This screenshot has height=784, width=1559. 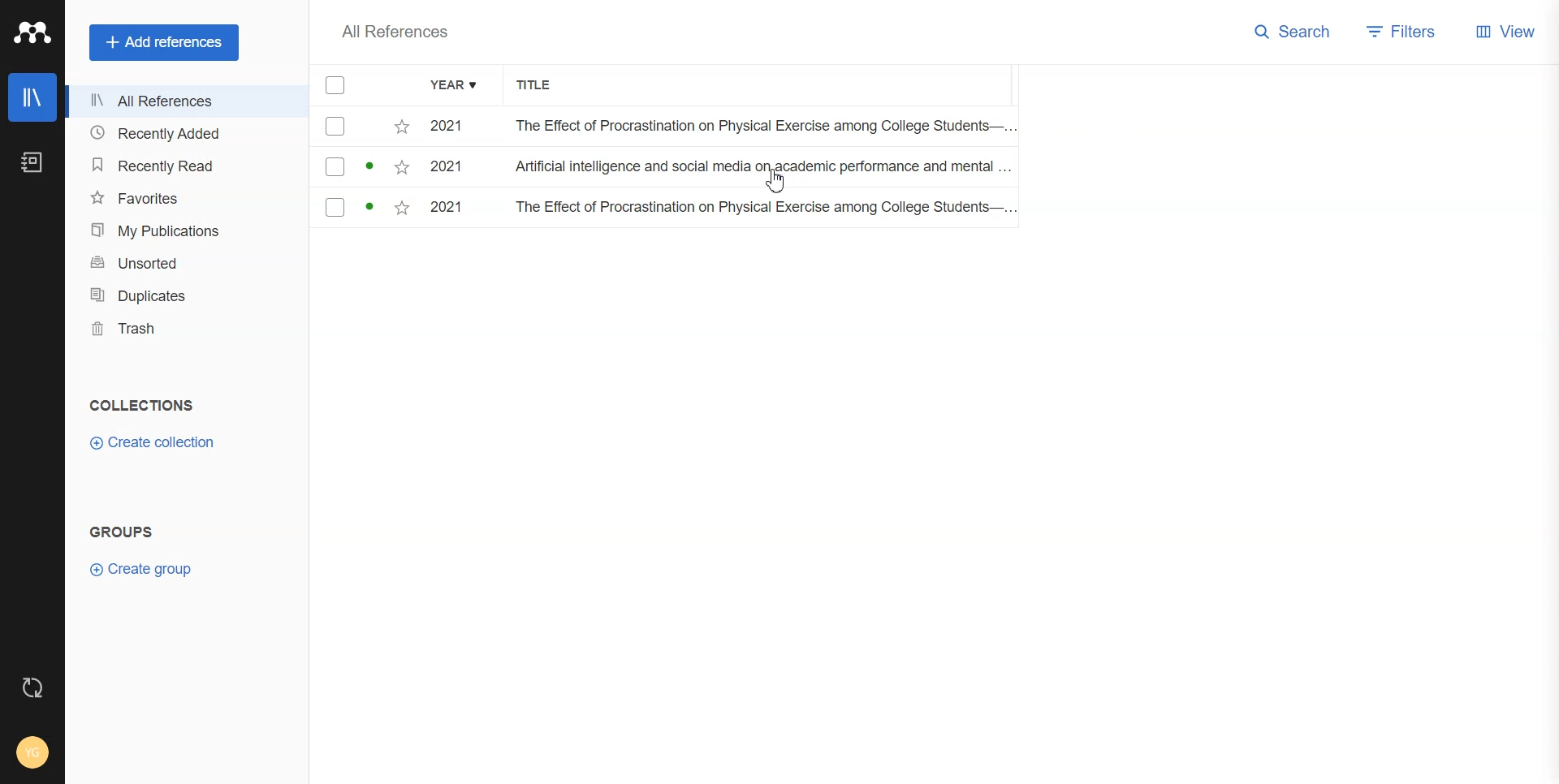 What do you see at coordinates (453, 209) in the screenshot?
I see `2021` at bounding box center [453, 209].